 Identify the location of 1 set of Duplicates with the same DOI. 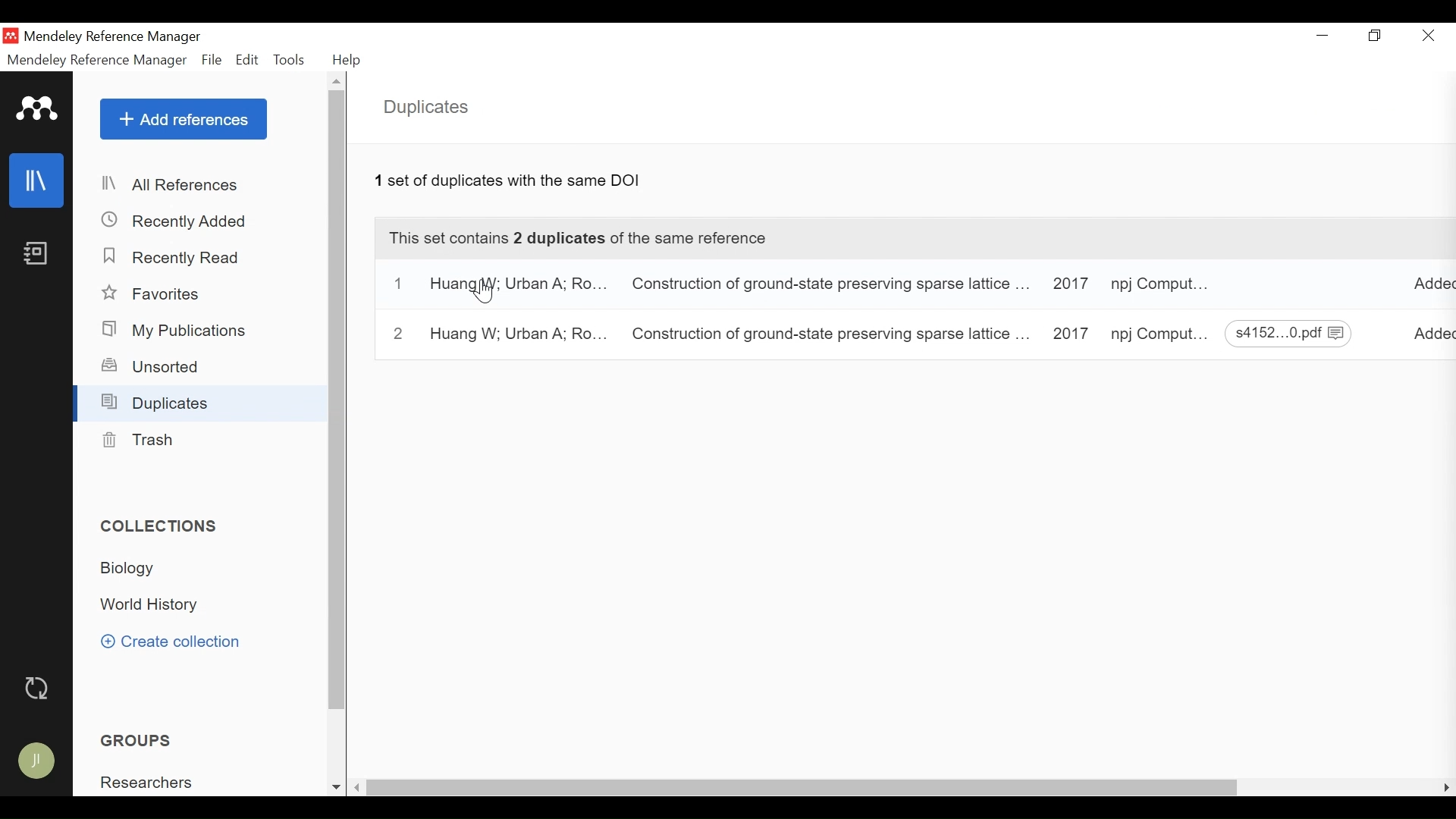
(509, 182).